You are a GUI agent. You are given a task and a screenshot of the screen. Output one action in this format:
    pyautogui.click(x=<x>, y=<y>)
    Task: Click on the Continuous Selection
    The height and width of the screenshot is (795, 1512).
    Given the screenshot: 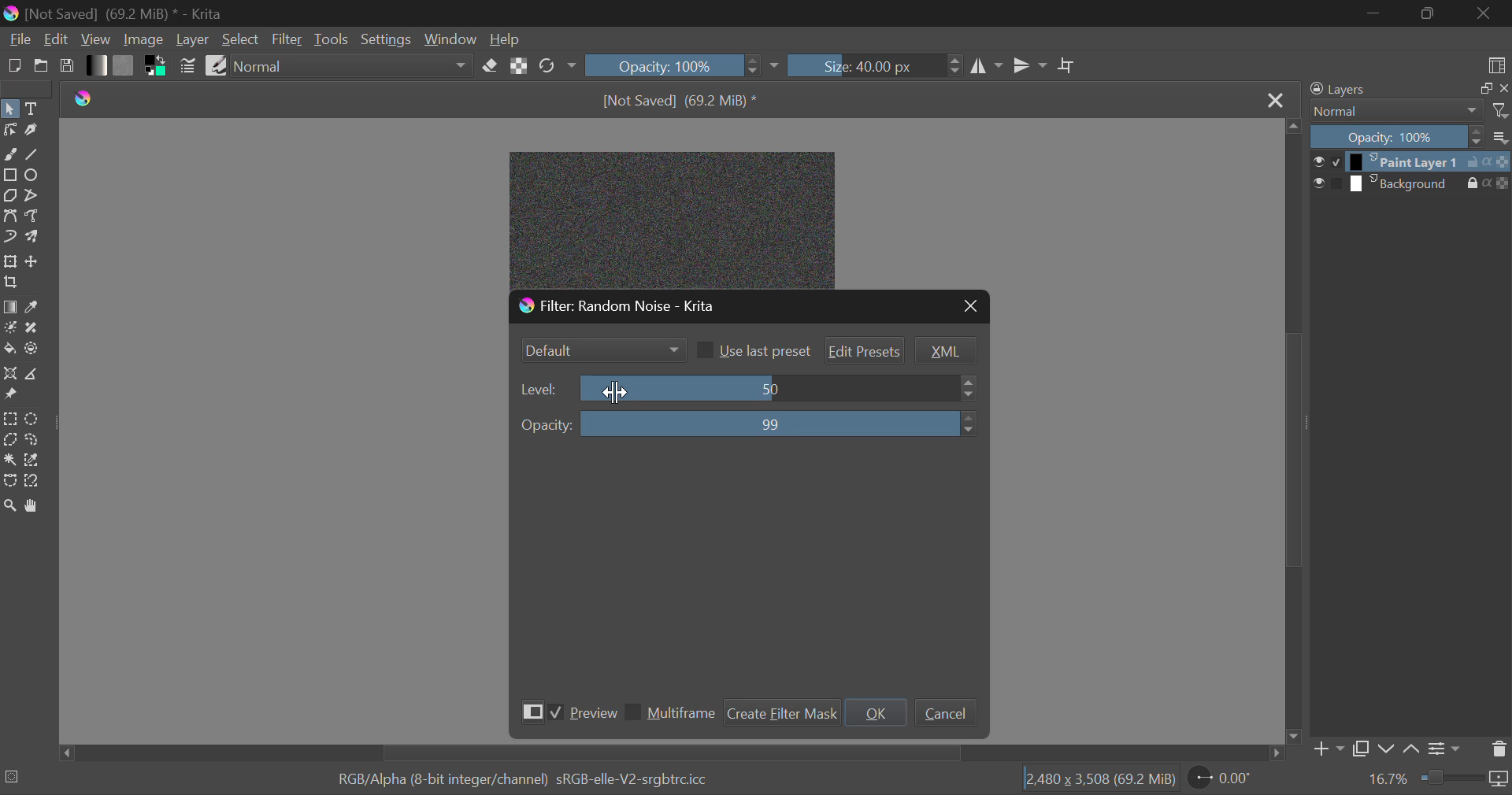 What is the action you would take?
    pyautogui.click(x=11, y=461)
    